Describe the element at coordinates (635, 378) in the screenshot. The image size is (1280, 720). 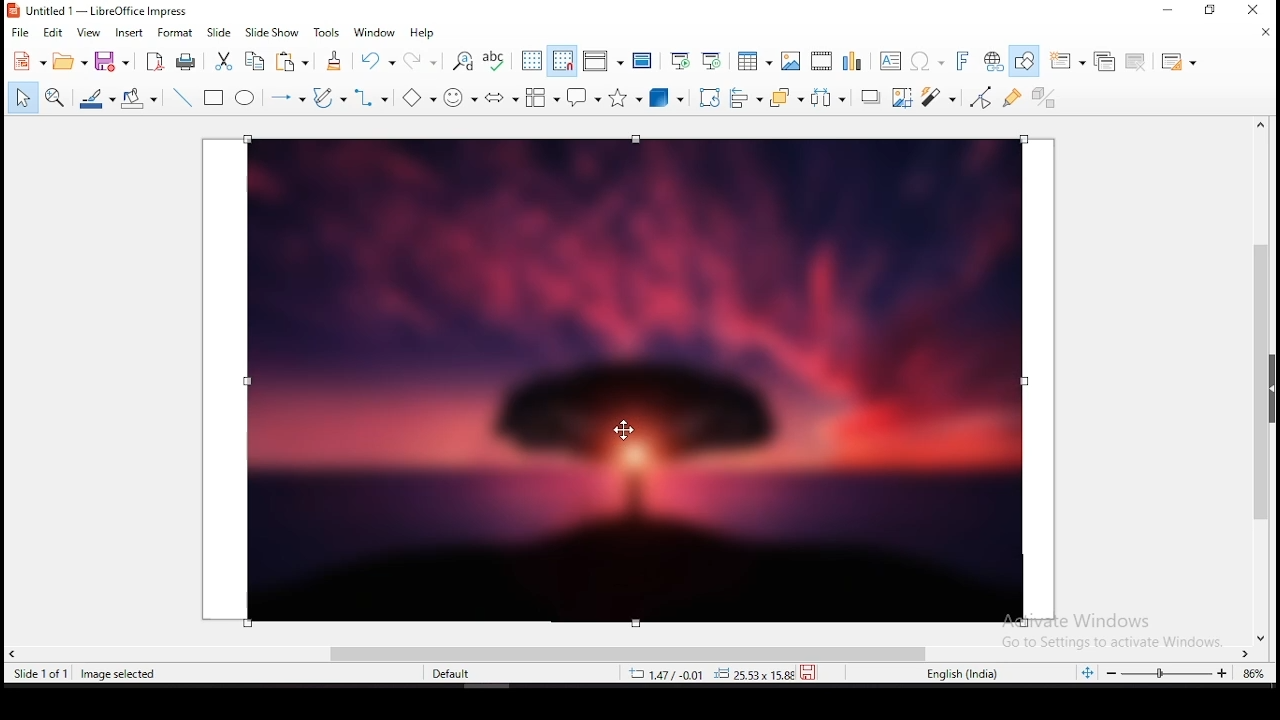
I see `image` at that location.